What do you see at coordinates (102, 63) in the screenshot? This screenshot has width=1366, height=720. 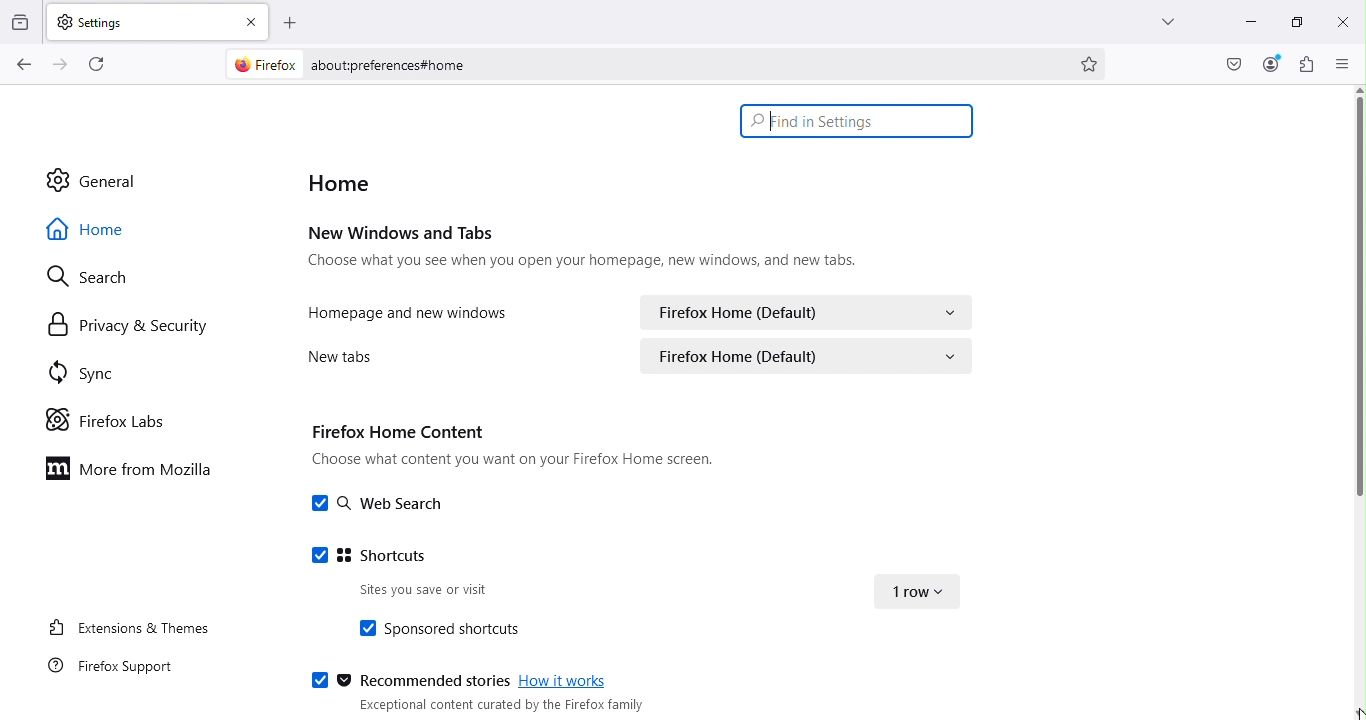 I see `Reload the current page` at bounding box center [102, 63].